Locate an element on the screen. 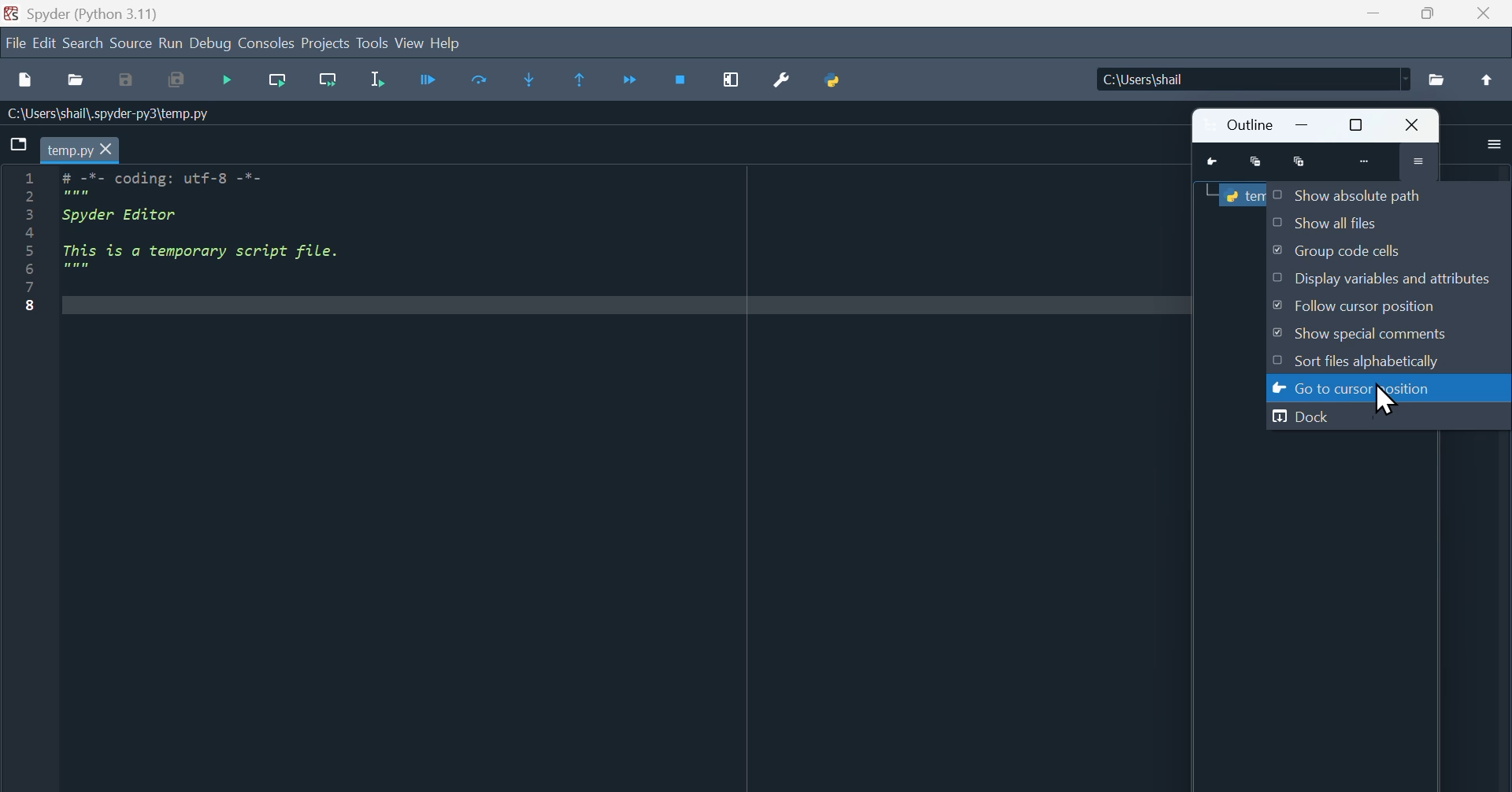  C:\Users\shail\.spyder-py3\temp.py is located at coordinates (129, 113).